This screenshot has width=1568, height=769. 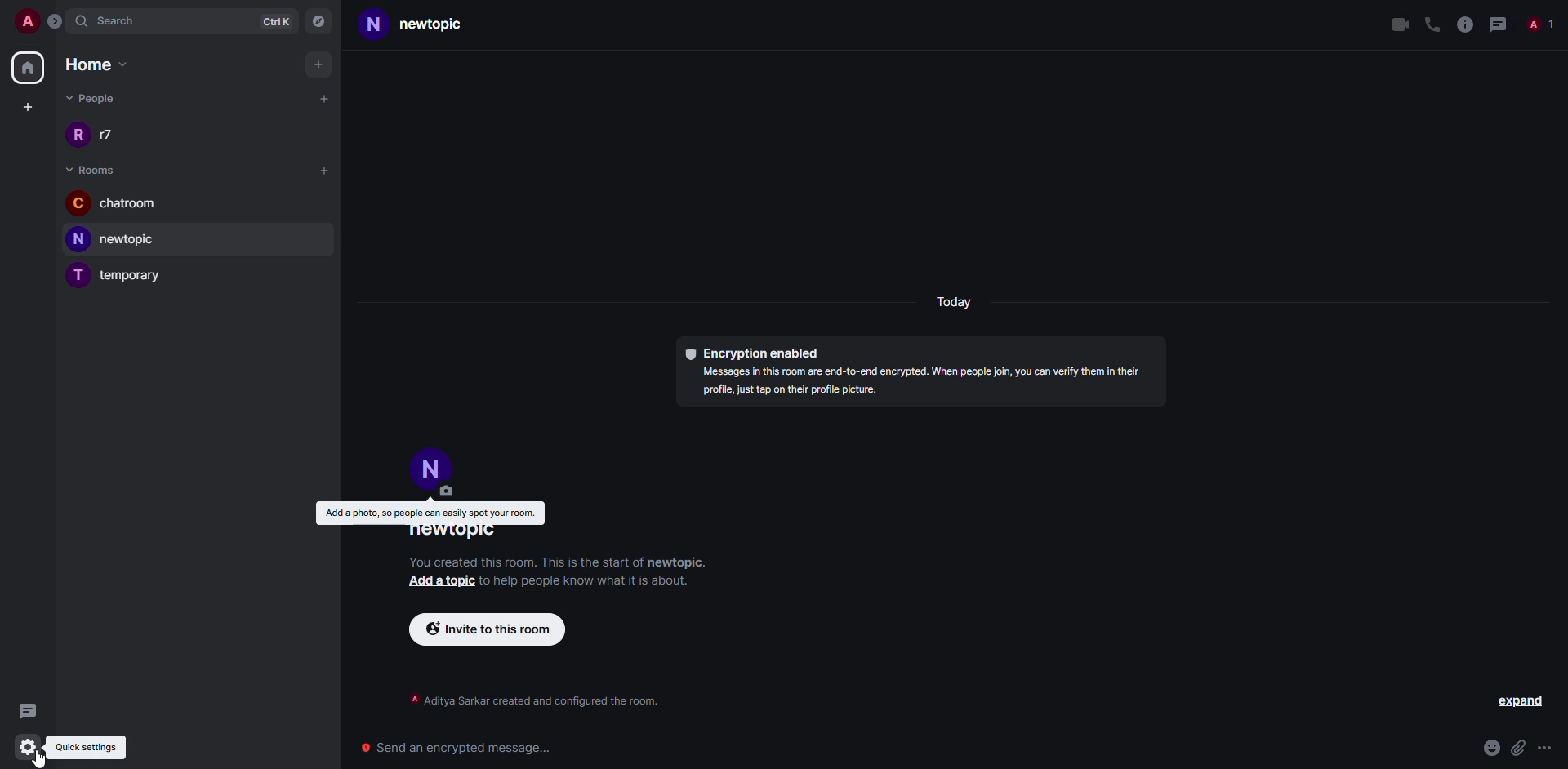 I want to click on room, so click(x=121, y=240).